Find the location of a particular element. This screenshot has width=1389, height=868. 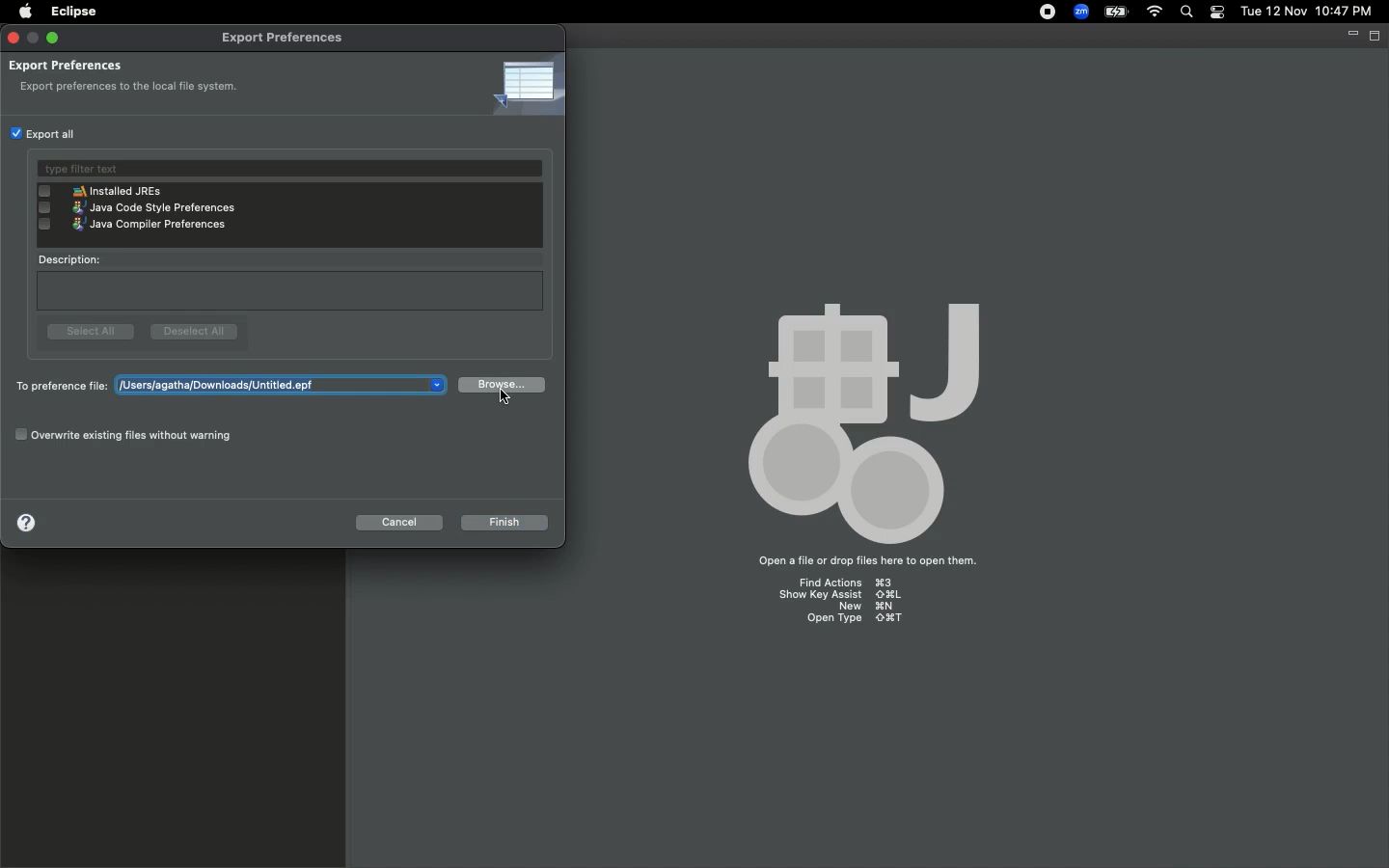

Search is located at coordinates (1186, 12).